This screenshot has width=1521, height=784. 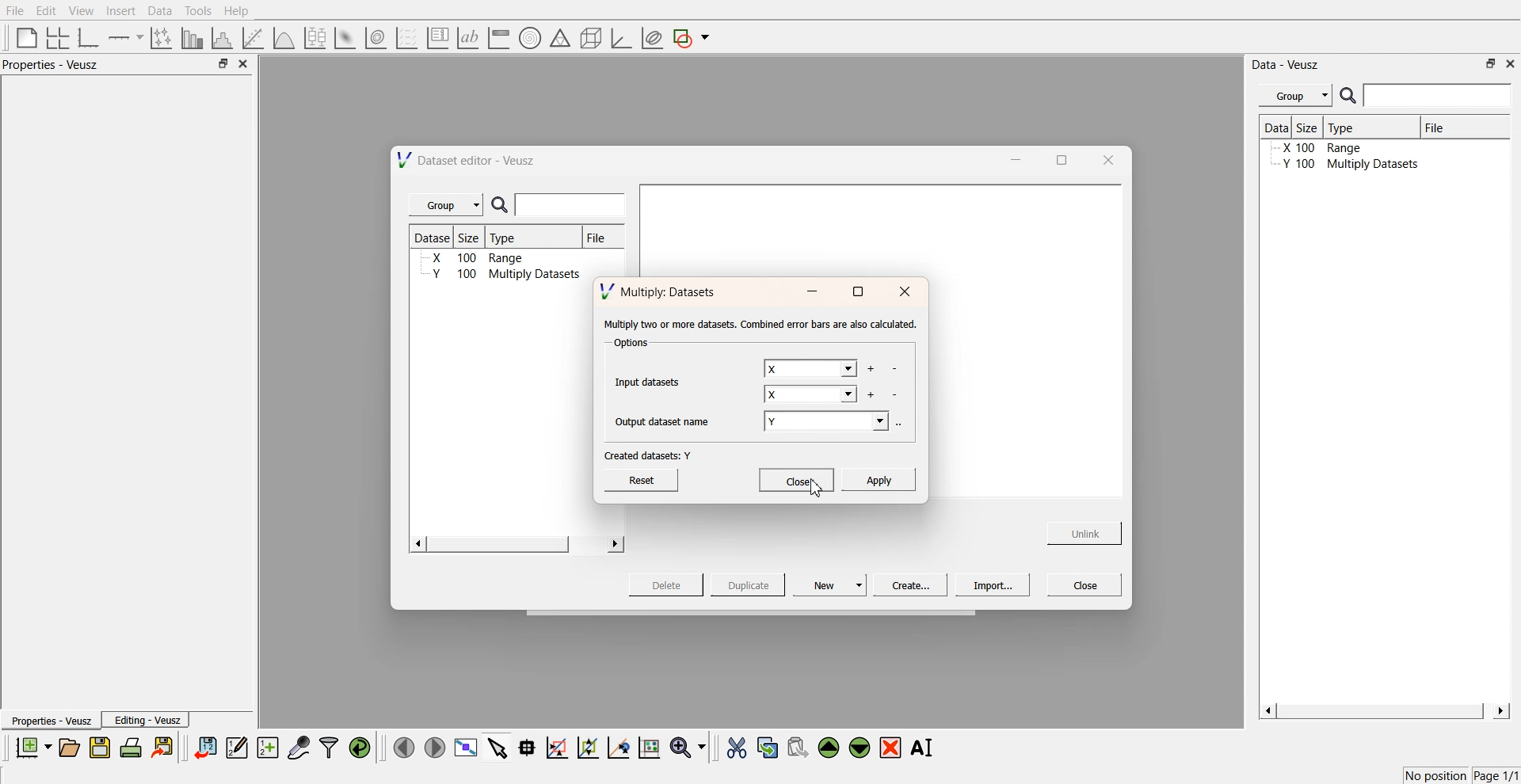 What do you see at coordinates (896, 395) in the screenshot?
I see `delete datasets` at bounding box center [896, 395].